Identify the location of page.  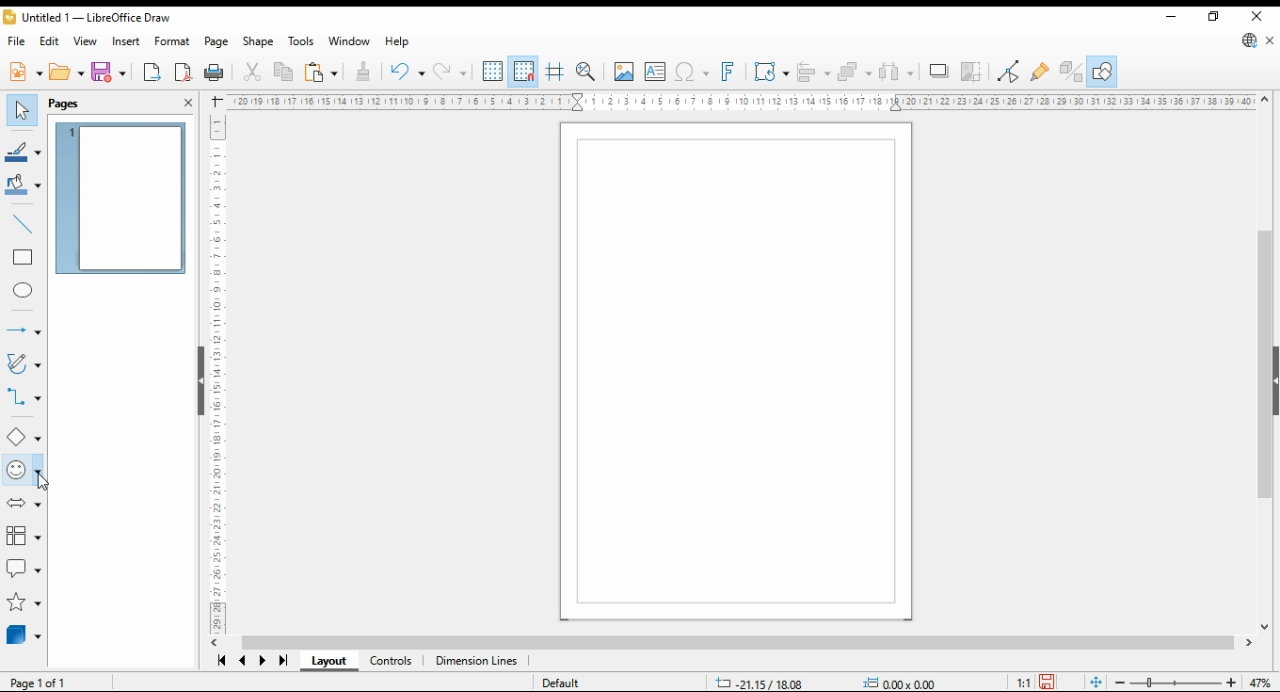
(217, 43).